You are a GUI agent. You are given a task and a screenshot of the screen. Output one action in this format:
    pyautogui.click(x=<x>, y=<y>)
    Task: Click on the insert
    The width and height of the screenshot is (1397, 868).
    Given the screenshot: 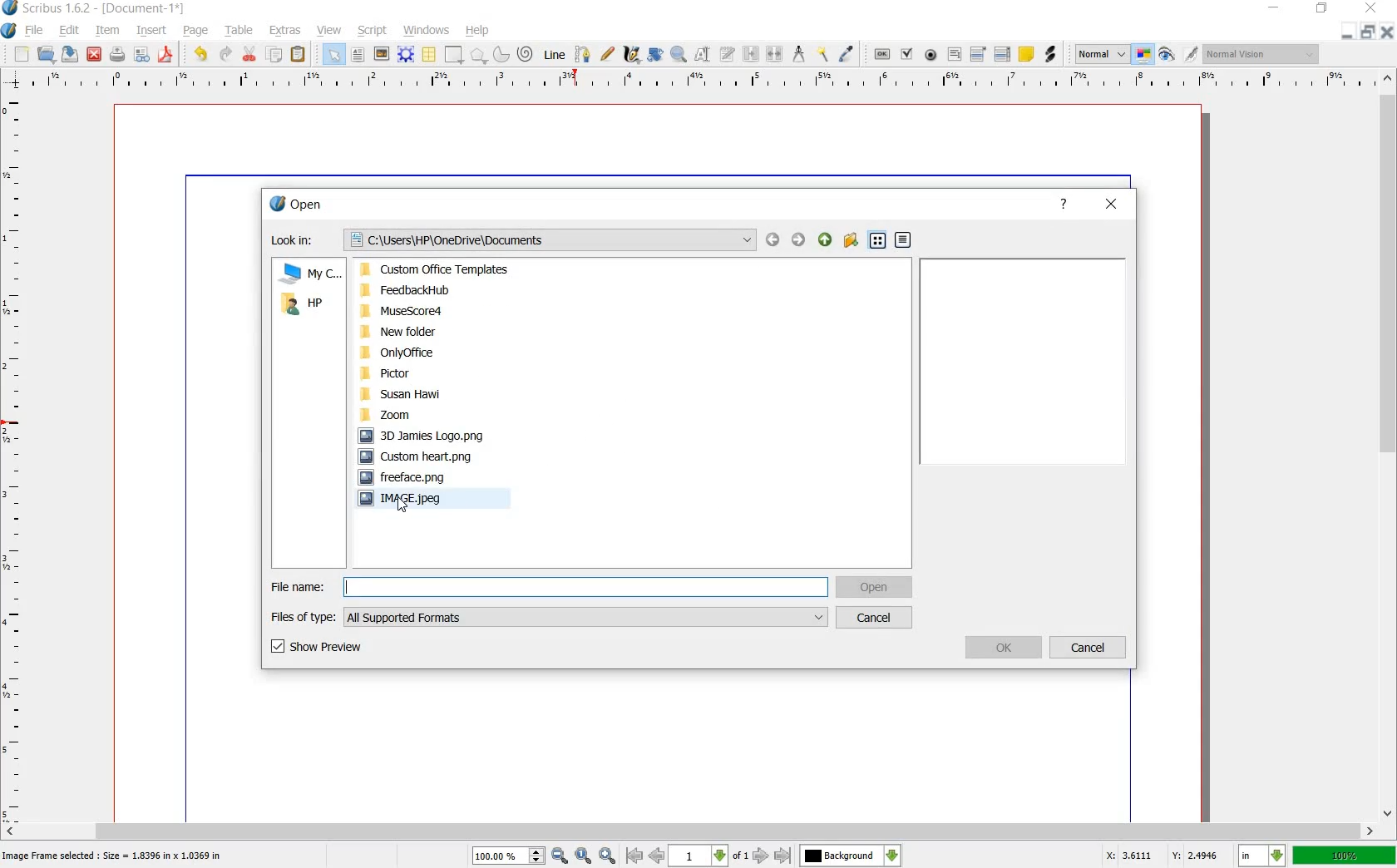 What is the action you would take?
    pyautogui.click(x=152, y=32)
    